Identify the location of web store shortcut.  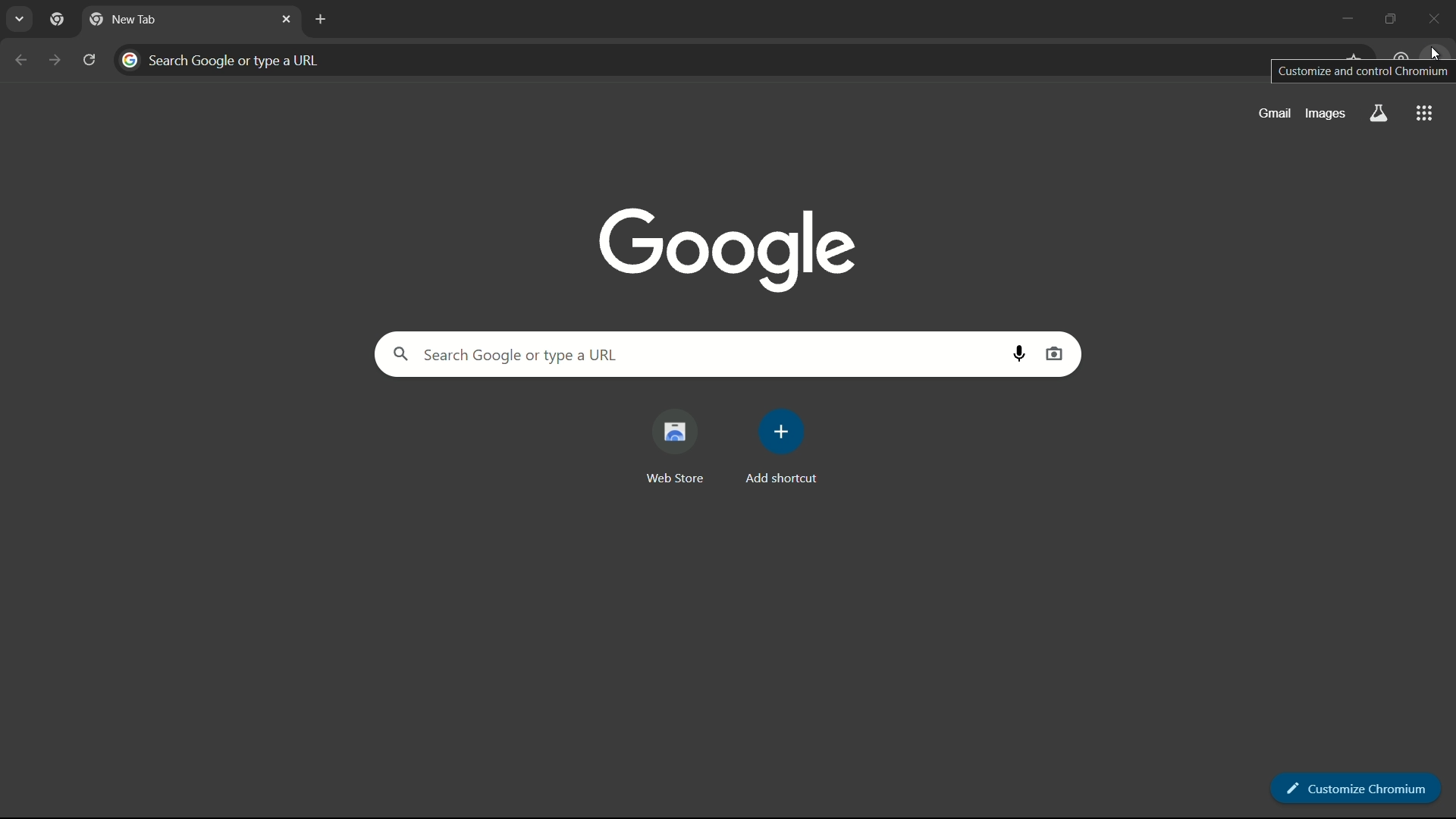
(673, 448).